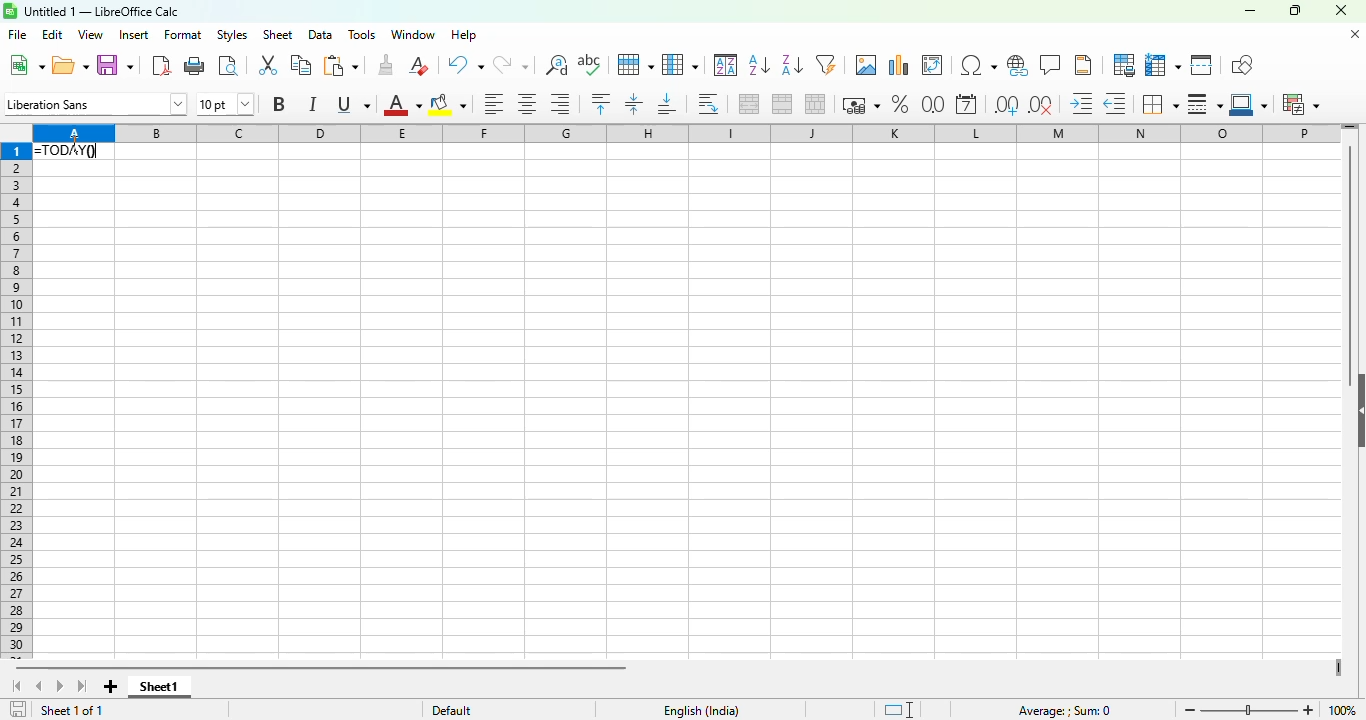 This screenshot has width=1366, height=720. What do you see at coordinates (1351, 256) in the screenshot?
I see `vertical scroll bar` at bounding box center [1351, 256].